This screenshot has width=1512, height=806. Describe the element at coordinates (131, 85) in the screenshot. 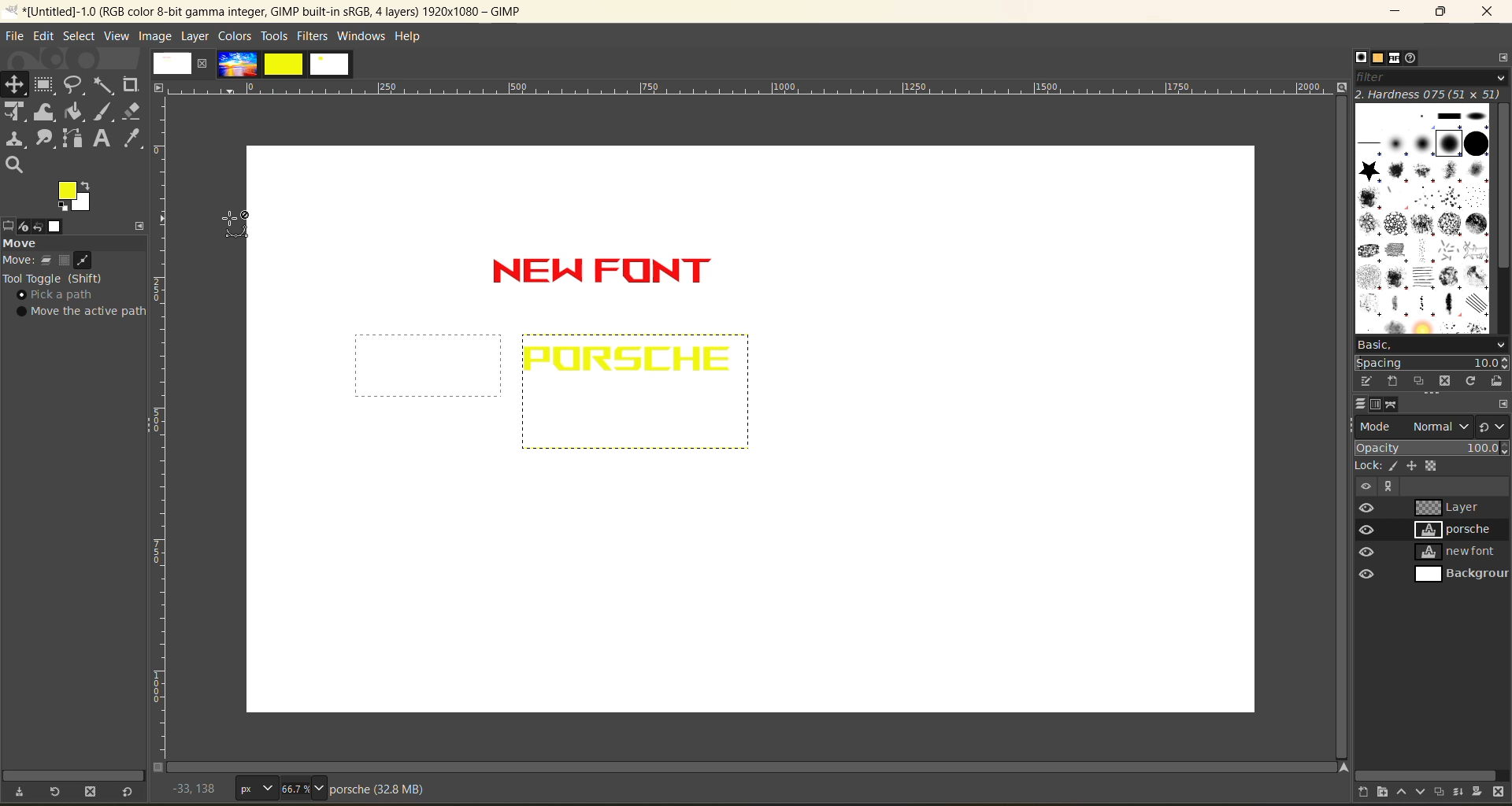

I see `crope` at that location.